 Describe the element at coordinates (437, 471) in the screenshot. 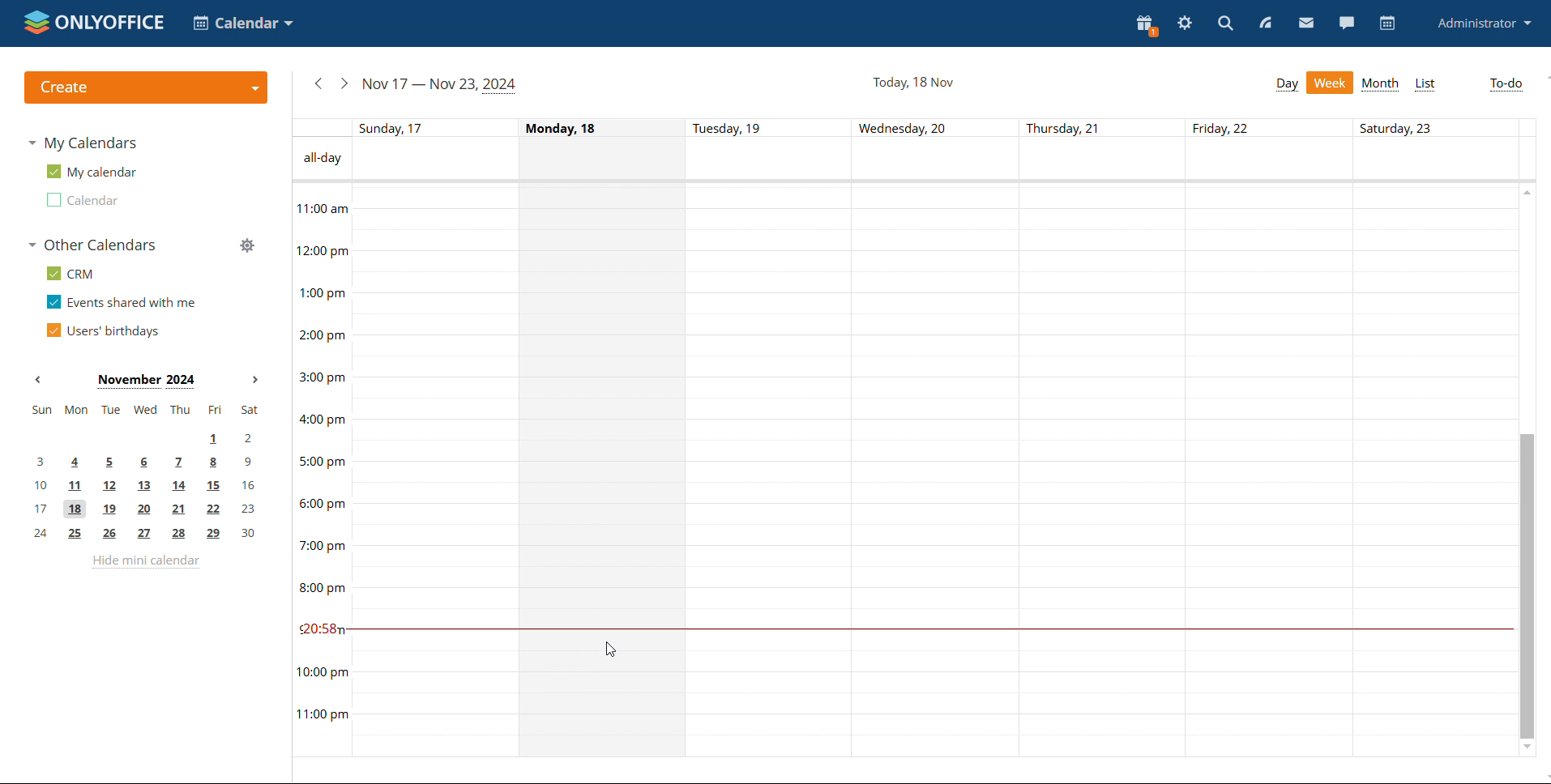

I see `Sunday` at that location.